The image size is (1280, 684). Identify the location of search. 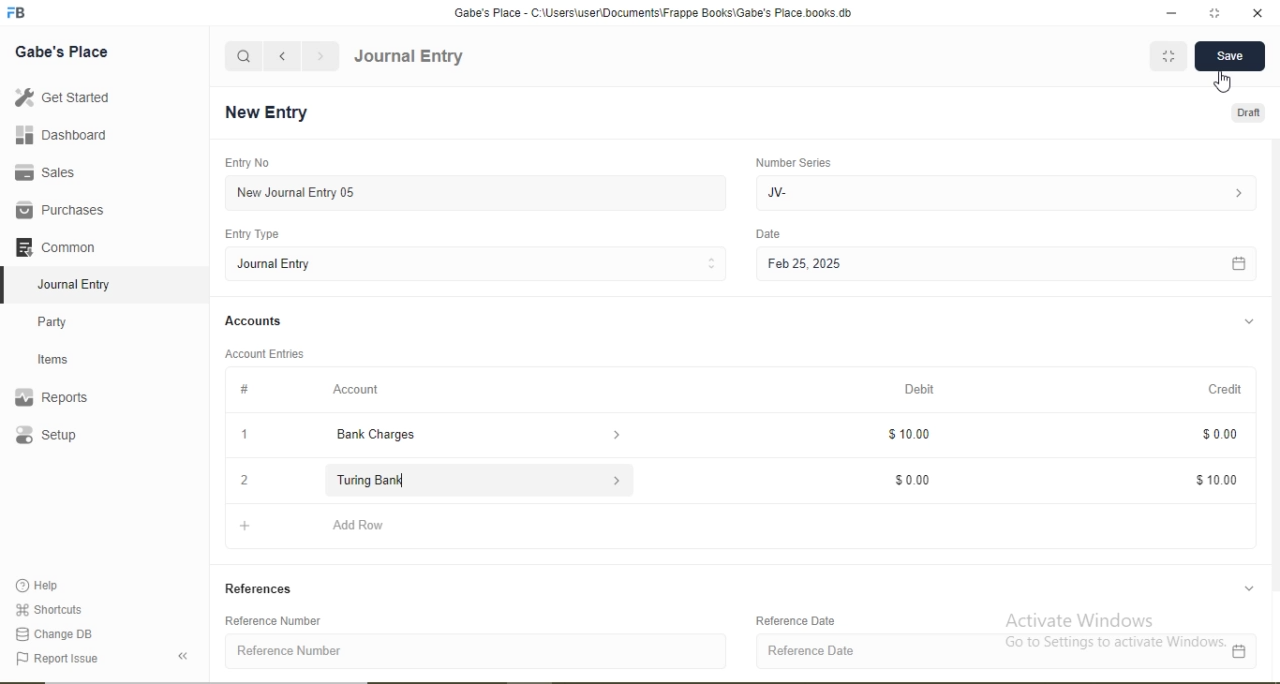
(244, 56).